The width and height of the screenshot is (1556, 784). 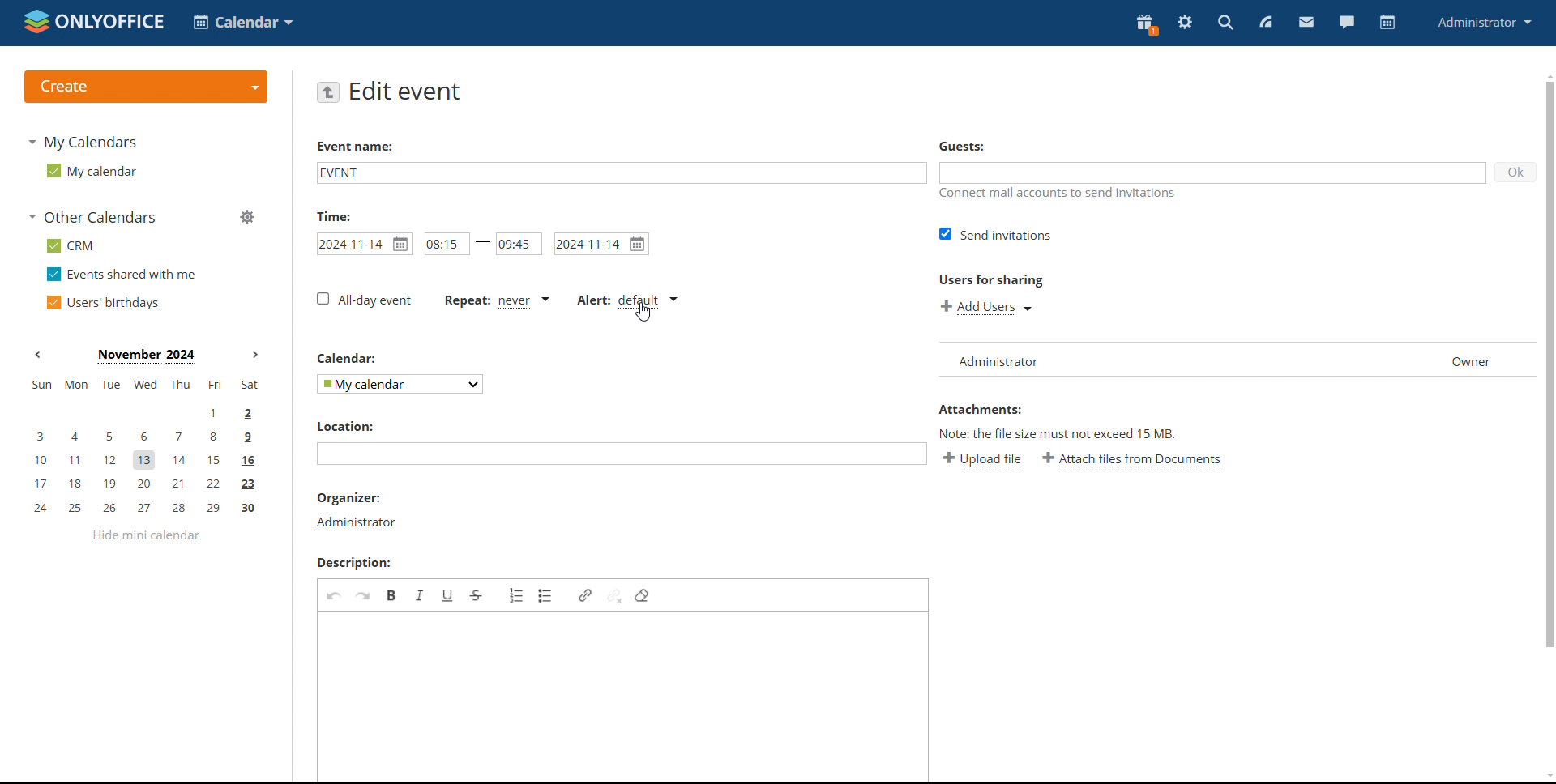 I want to click on add description, so click(x=622, y=697).